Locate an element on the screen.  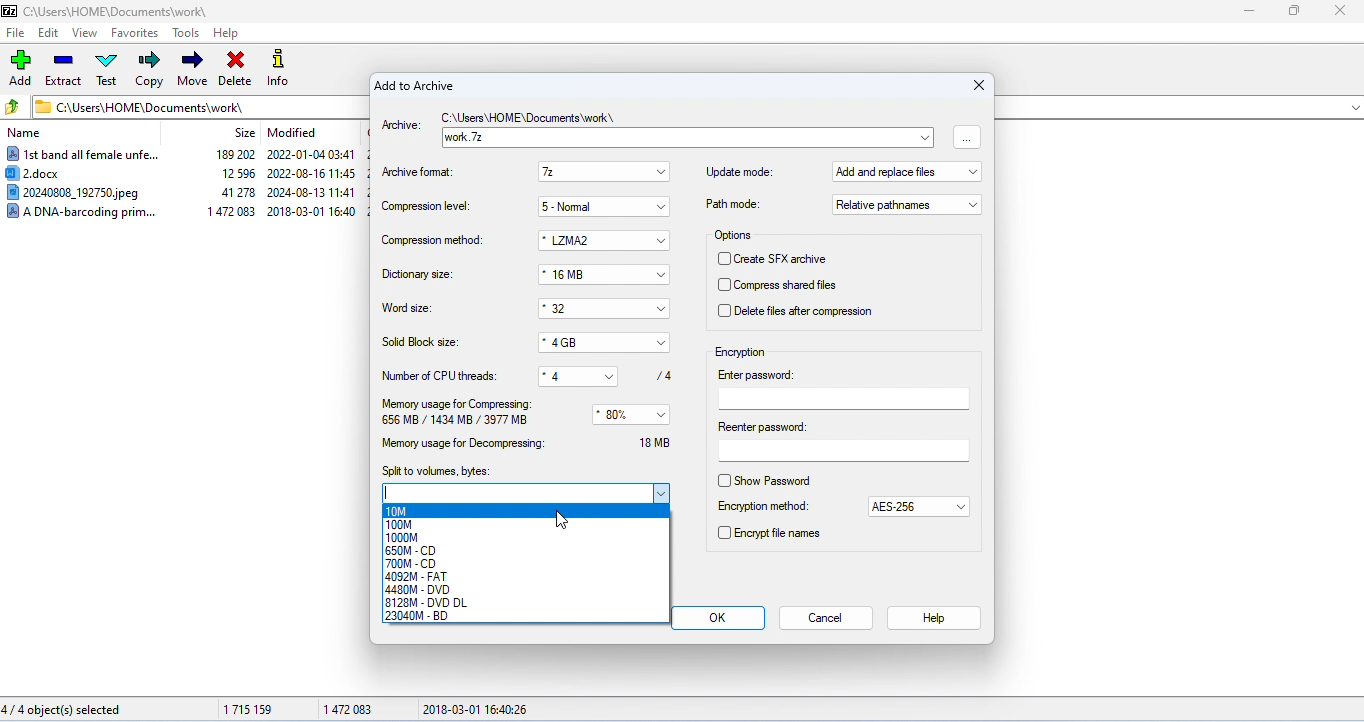
enter password is located at coordinates (845, 389).